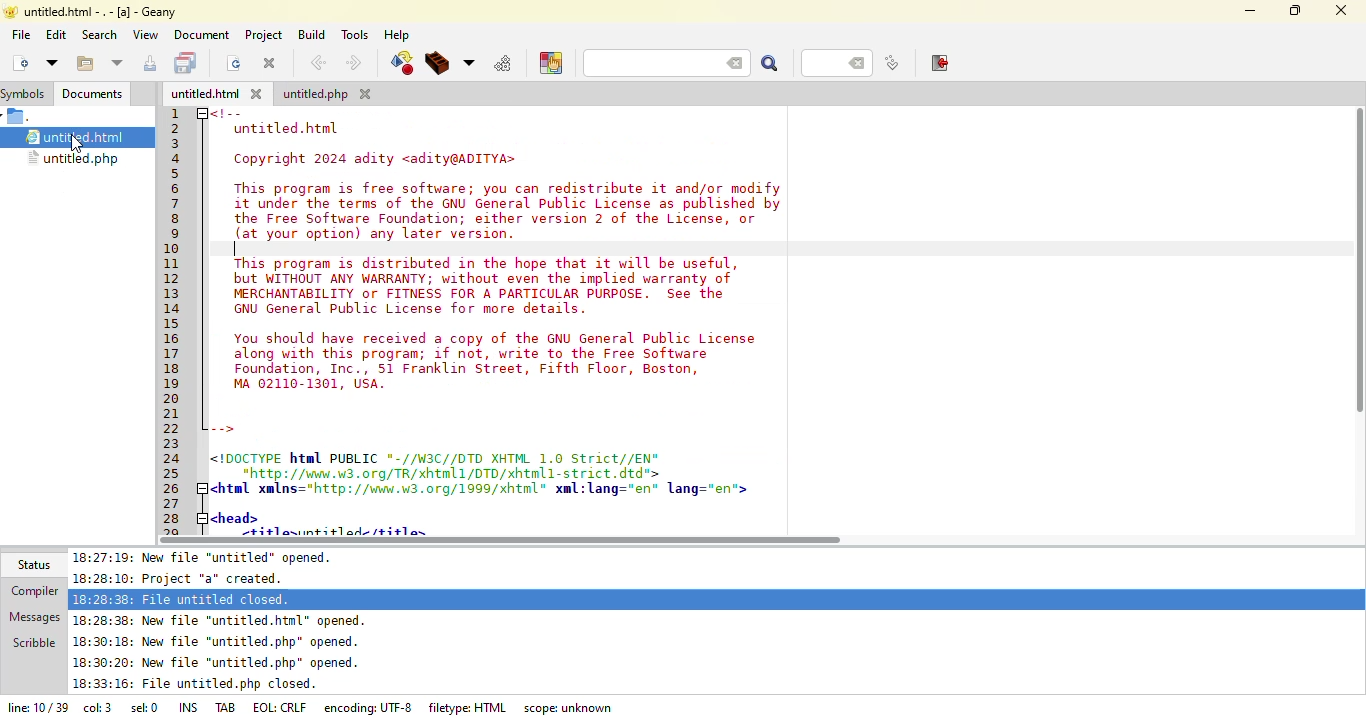 The image size is (1366, 718). Describe the element at coordinates (100, 10) in the screenshot. I see `PRECHIE T S F` at that location.